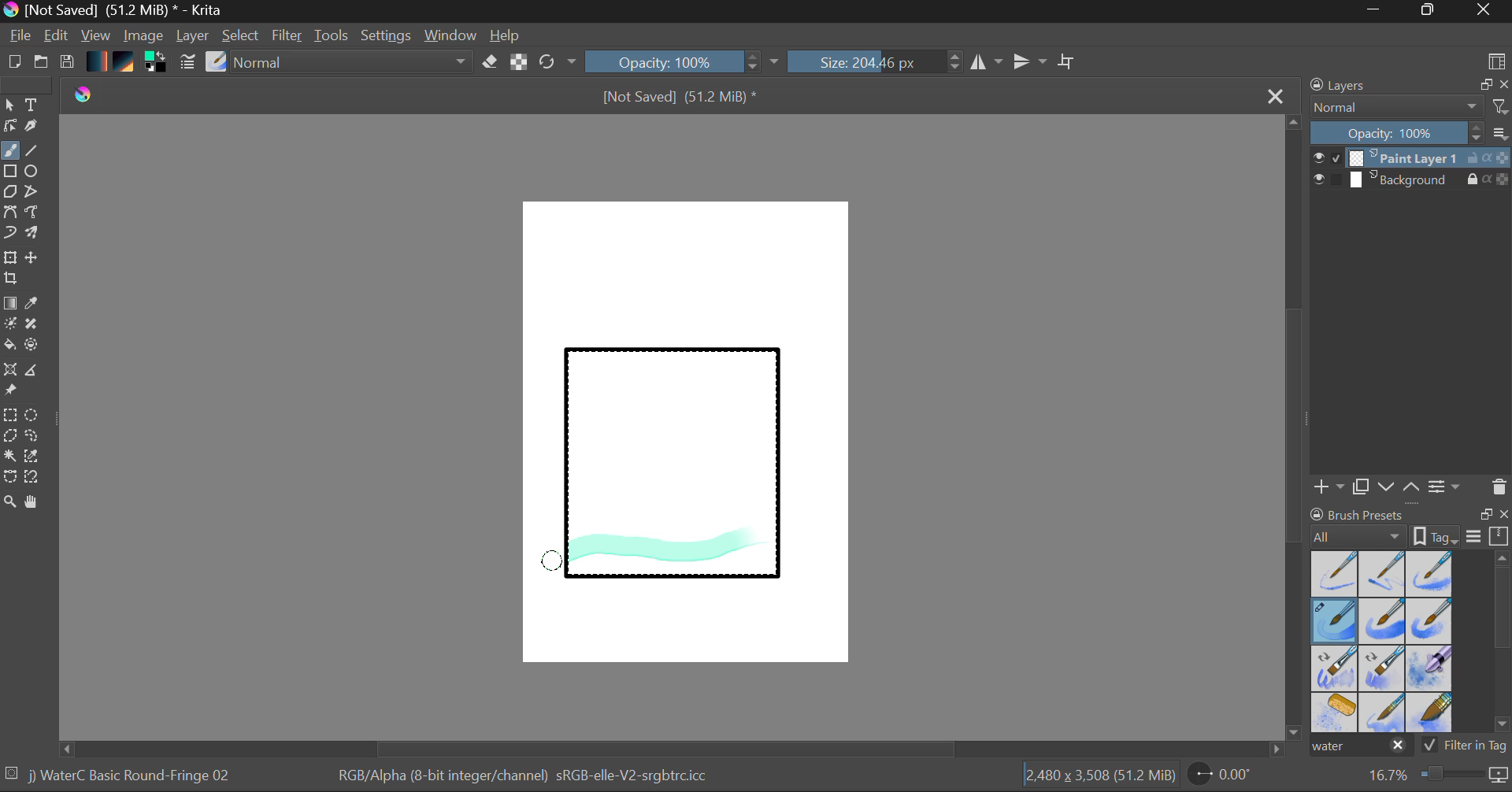 The width and height of the screenshot is (1512, 792). What do you see at coordinates (1412, 160) in the screenshot?
I see `Layer 1` at bounding box center [1412, 160].